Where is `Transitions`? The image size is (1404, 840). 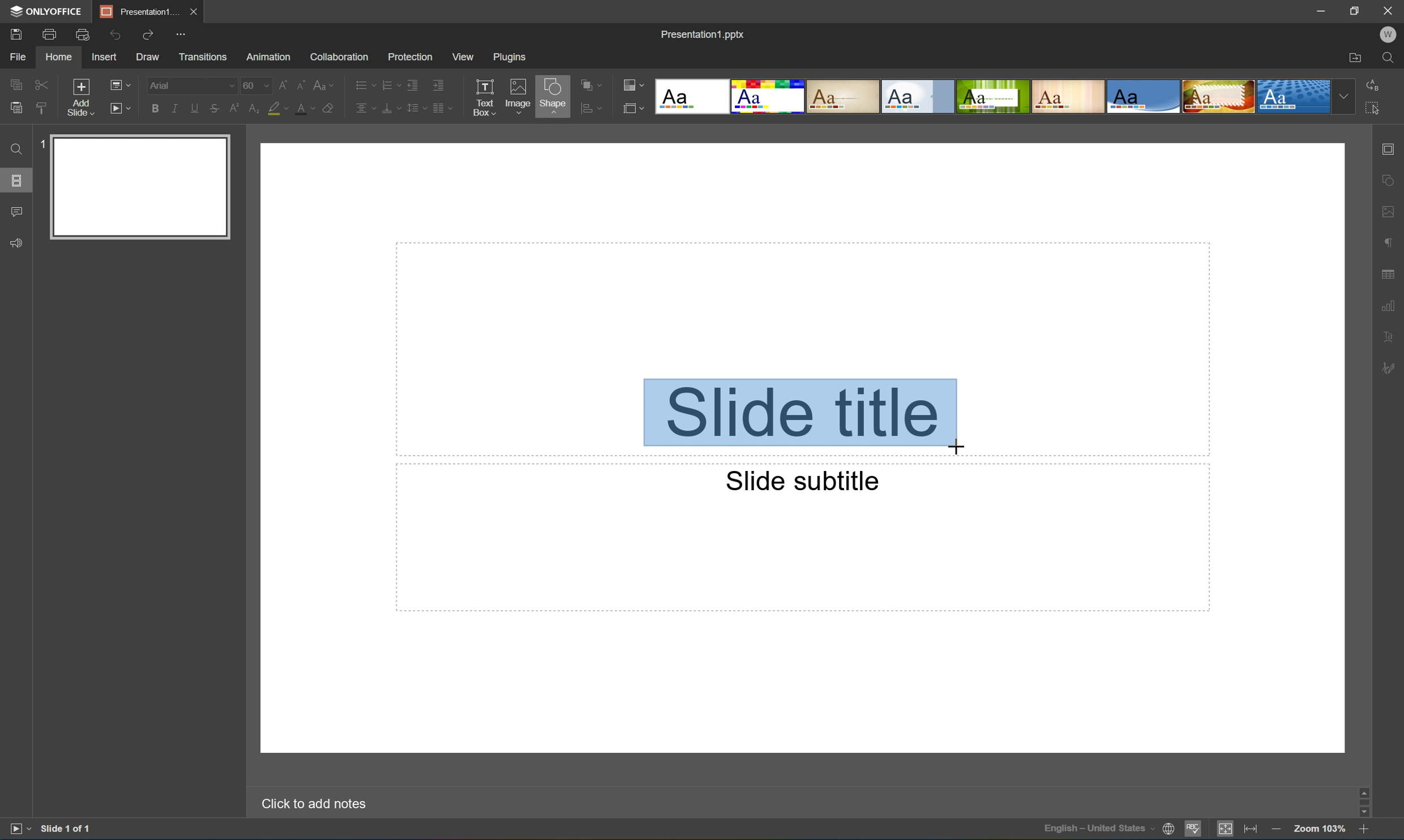 Transitions is located at coordinates (201, 57).